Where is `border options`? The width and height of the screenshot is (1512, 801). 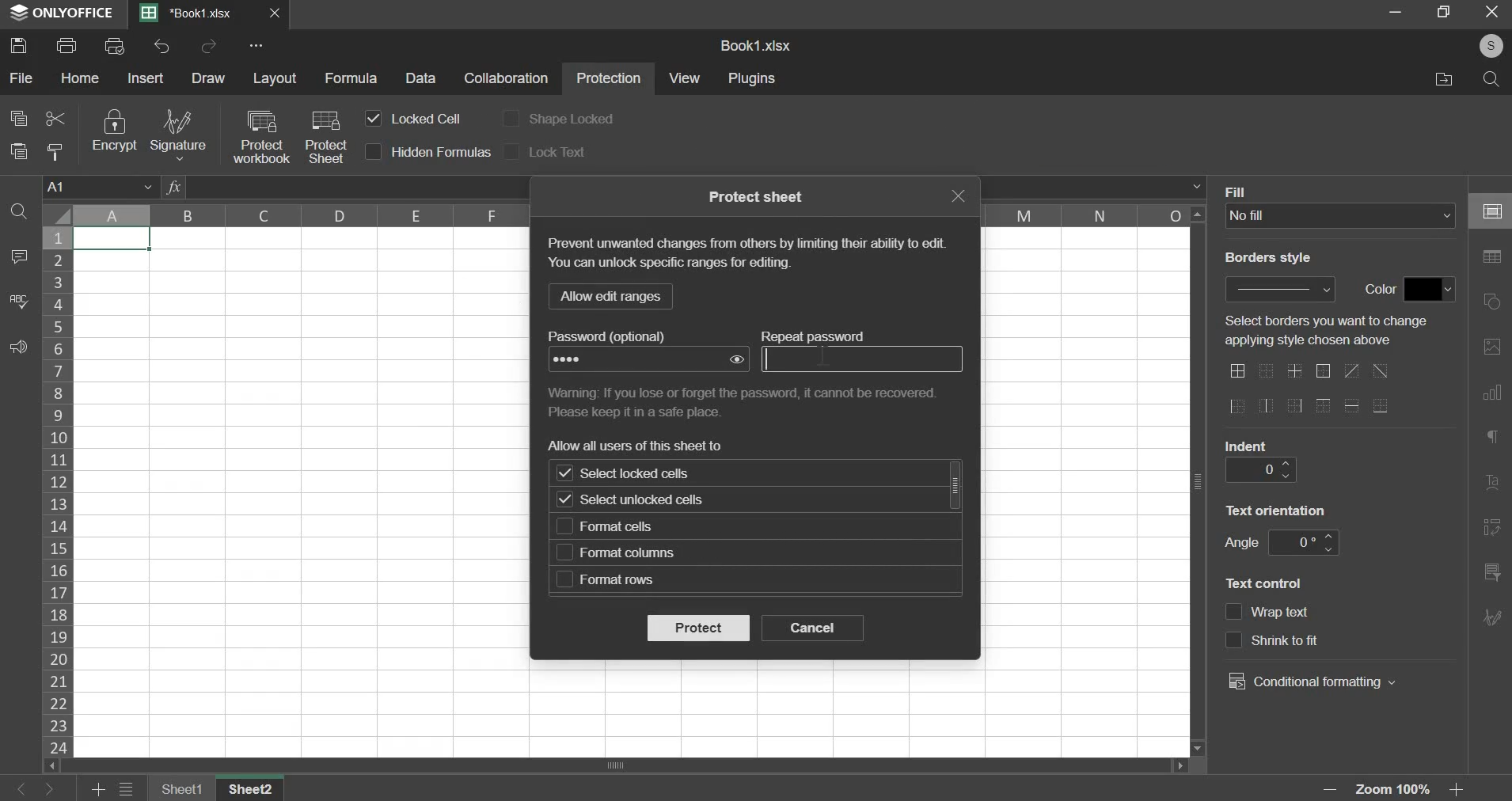
border options is located at coordinates (1354, 405).